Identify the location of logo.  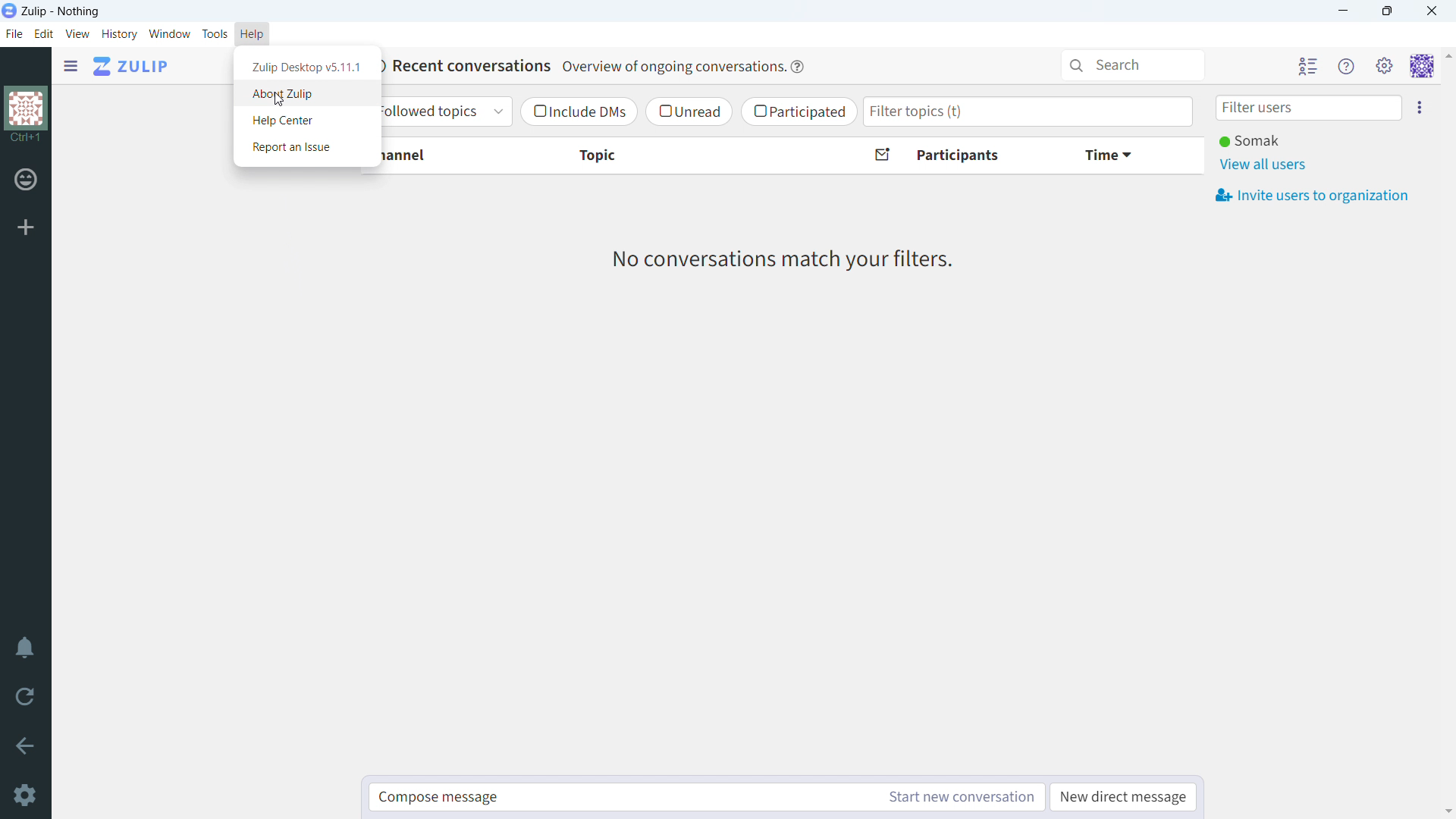
(29, 115).